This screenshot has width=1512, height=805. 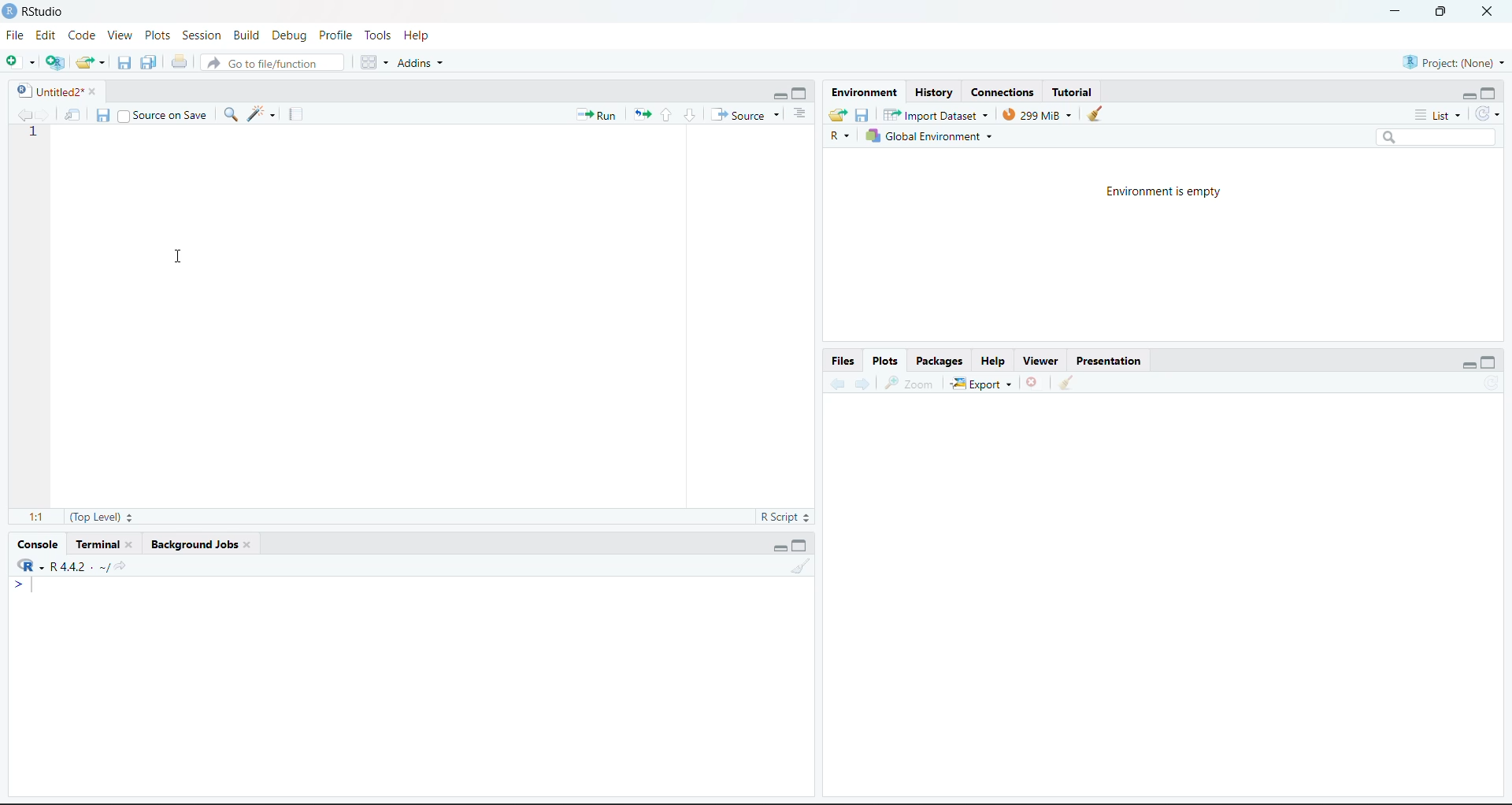 I want to click on Environment is empty, so click(x=1163, y=193).